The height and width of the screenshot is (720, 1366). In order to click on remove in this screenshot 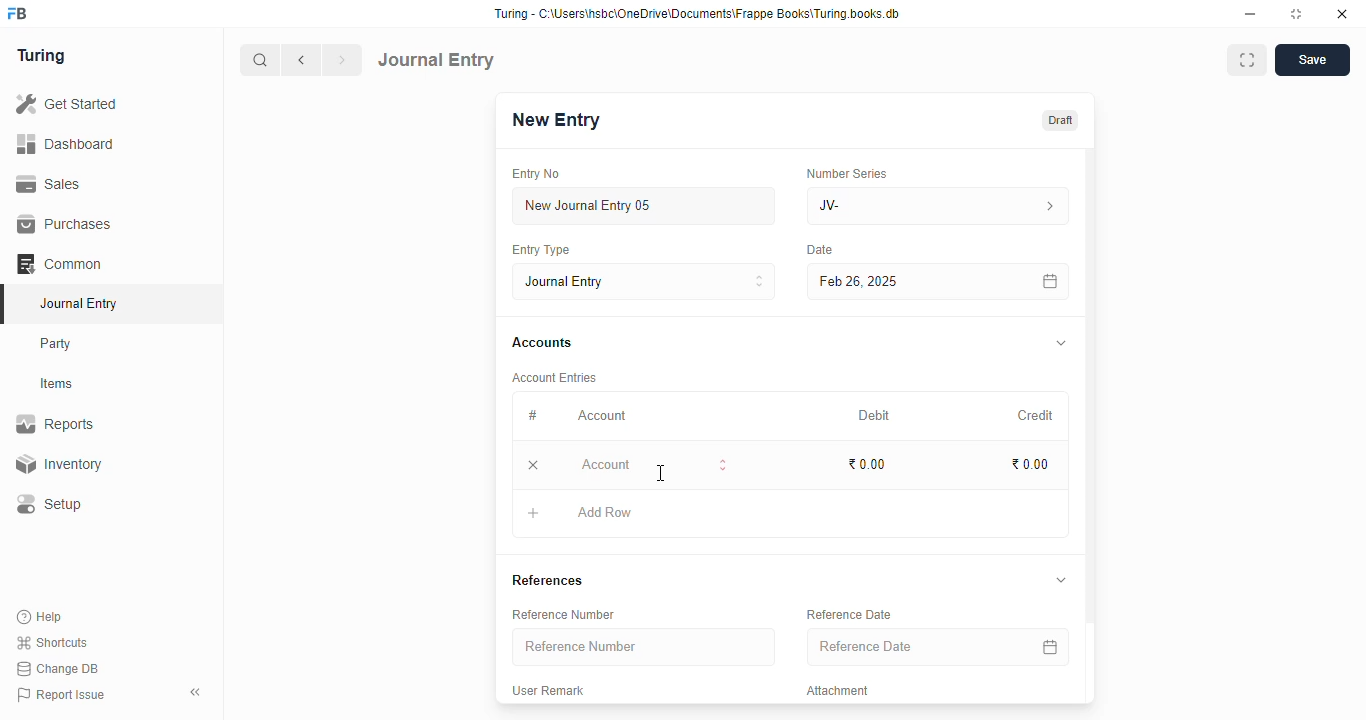, I will do `click(535, 466)`.